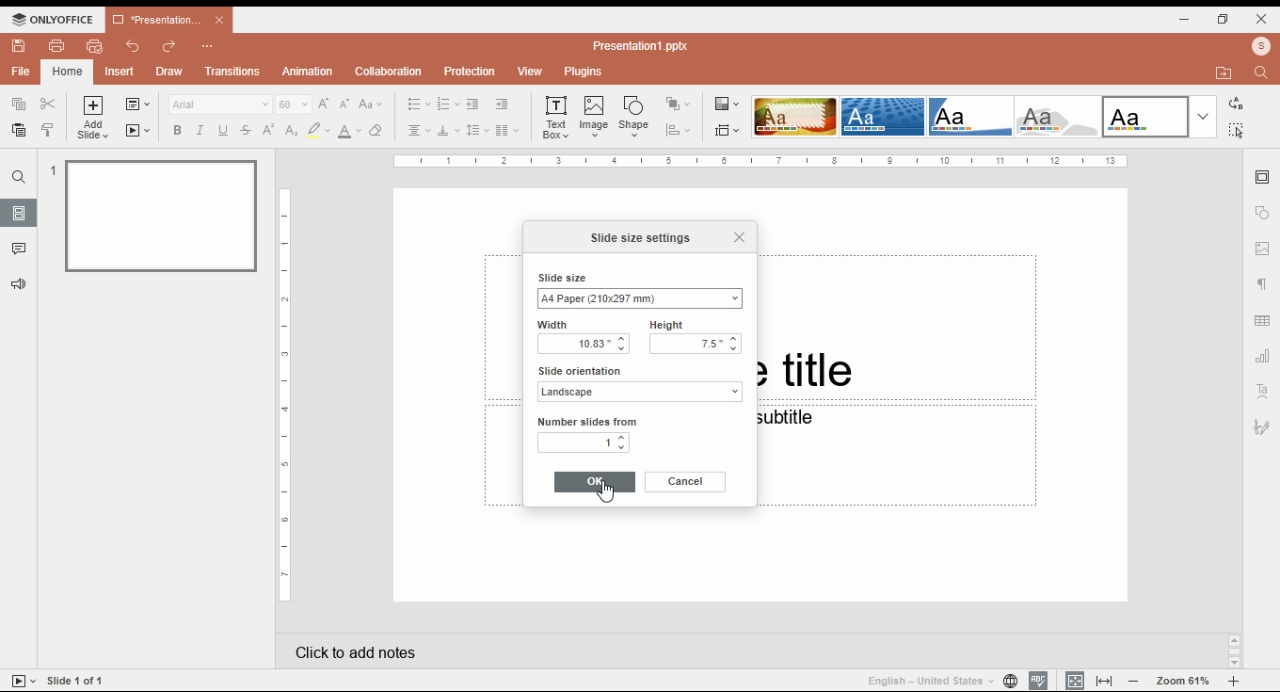 This screenshot has width=1280, height=692. What do you see at coordinates (419, 104) in the screenshot?
I see `bullets` at bounding box center [419, 104].